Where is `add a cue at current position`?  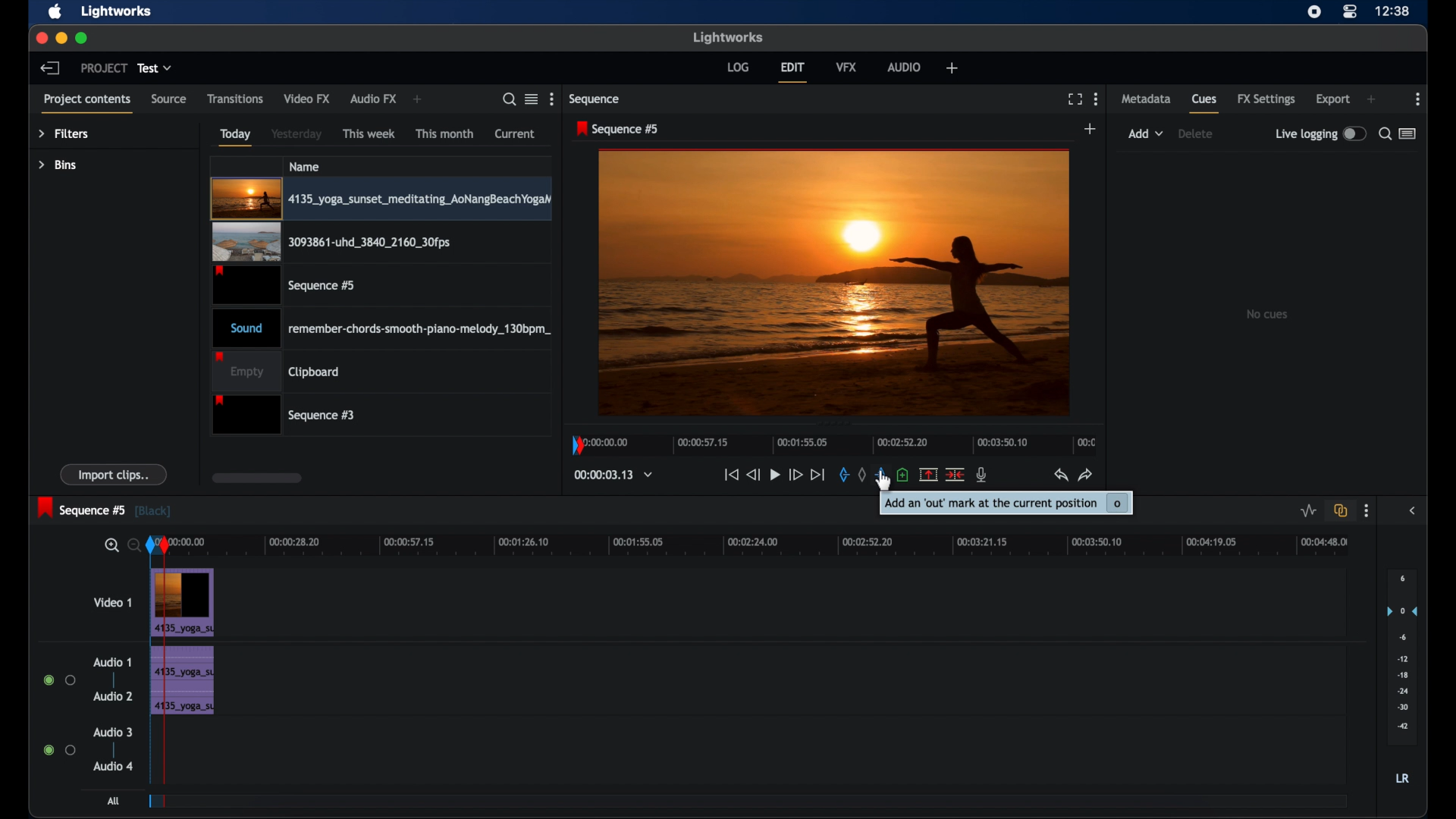
add a cue at current position is located at coordinates (904, 475).